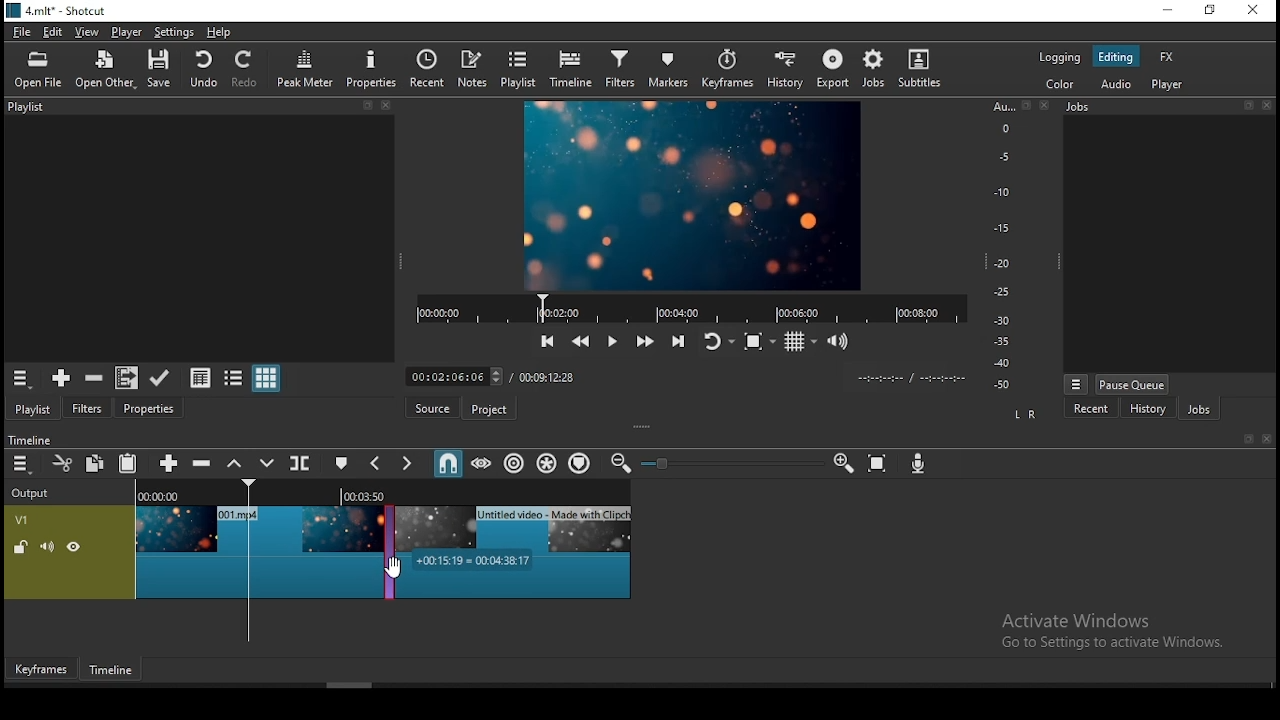 Image resolution: width=1280 pixels, height=720 pixels. I want to click on show volume control, so click(837, 343).